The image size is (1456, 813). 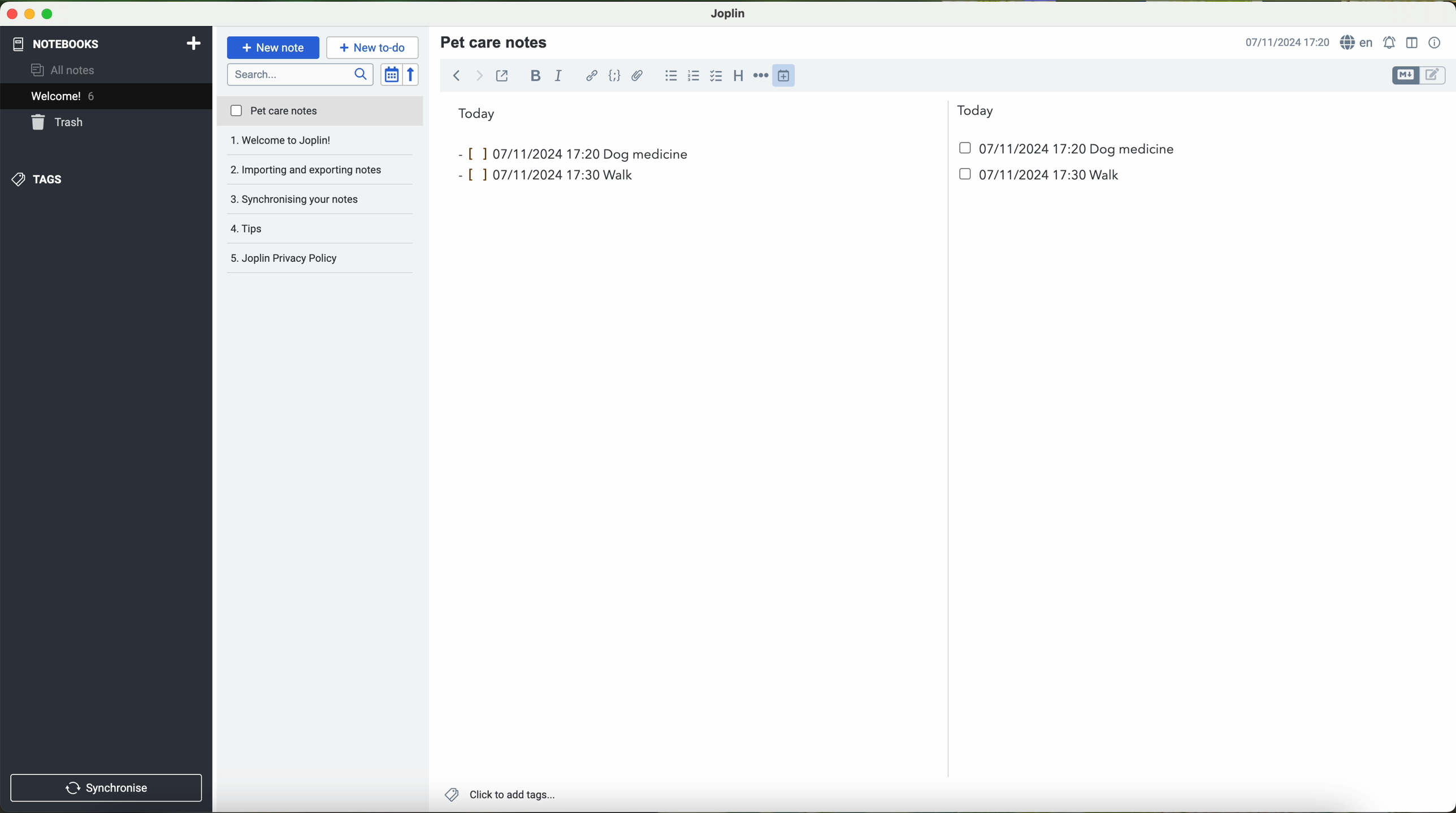 What do you see at coordinates (274, 47) in the screenshot?
I see `new note button` at bounding box center [274, 47].